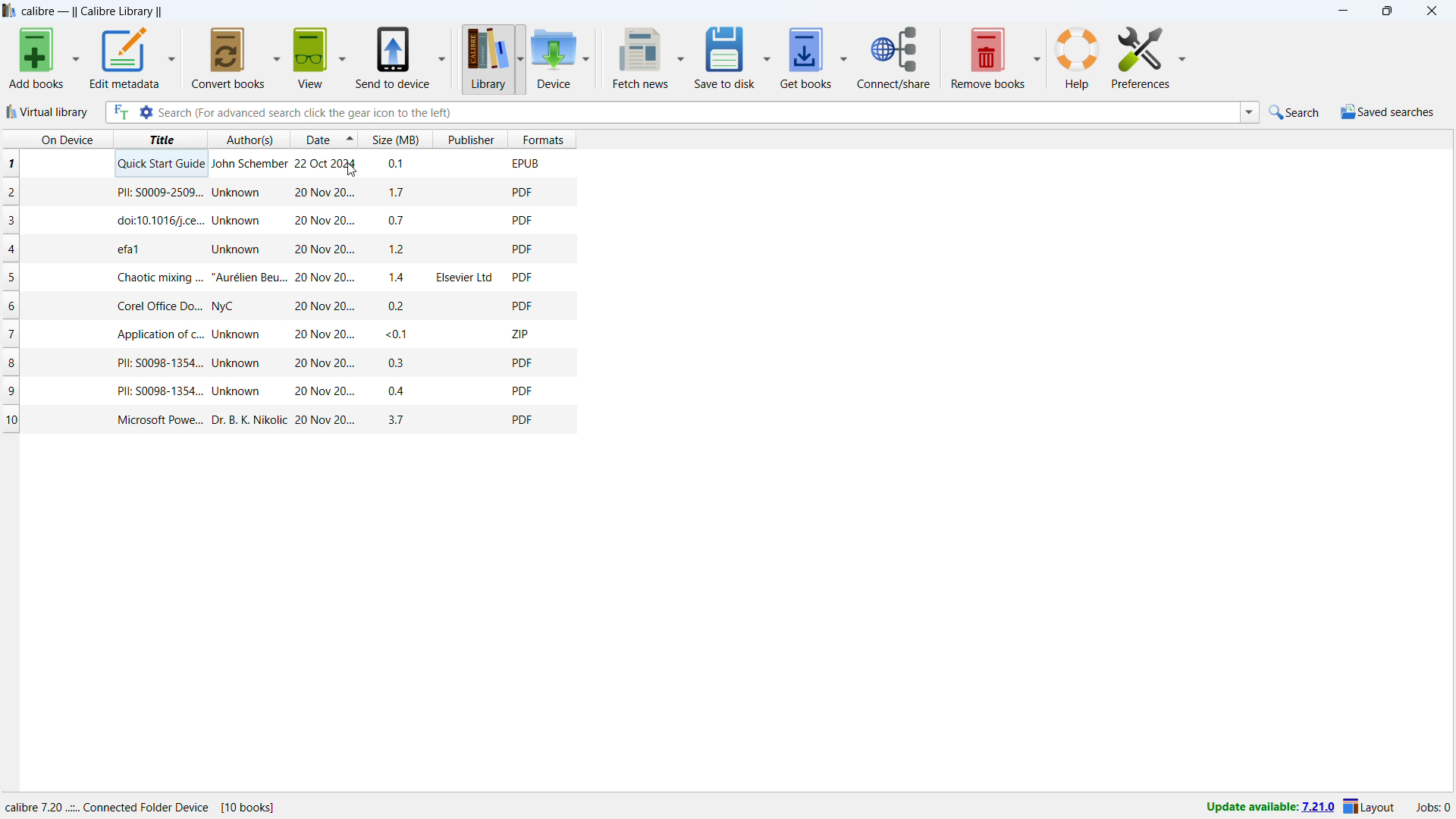  I want to click on device, so click(554, 58).